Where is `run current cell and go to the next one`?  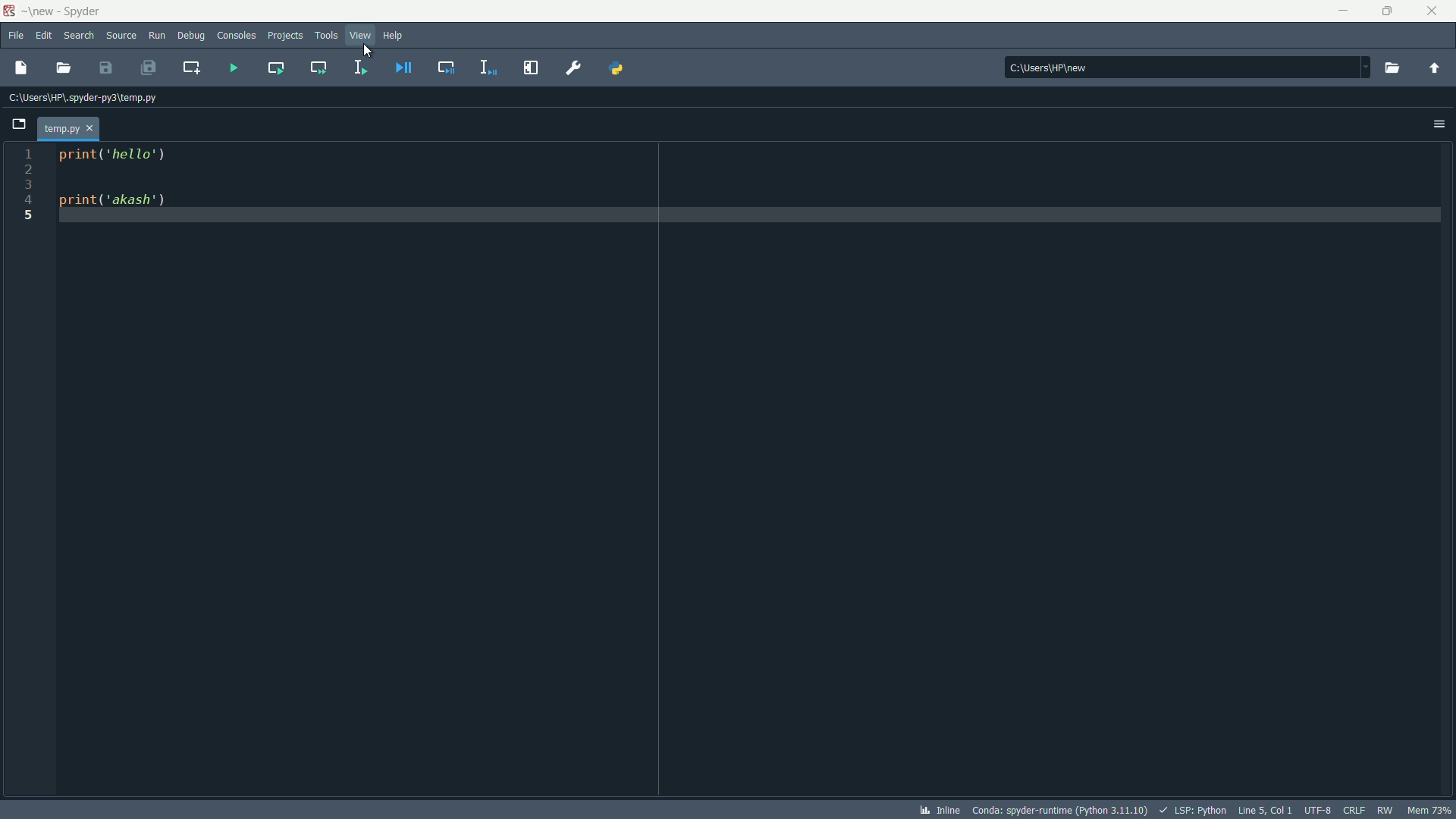 run current cell and go to the next one is located at coordinates (317, 66).